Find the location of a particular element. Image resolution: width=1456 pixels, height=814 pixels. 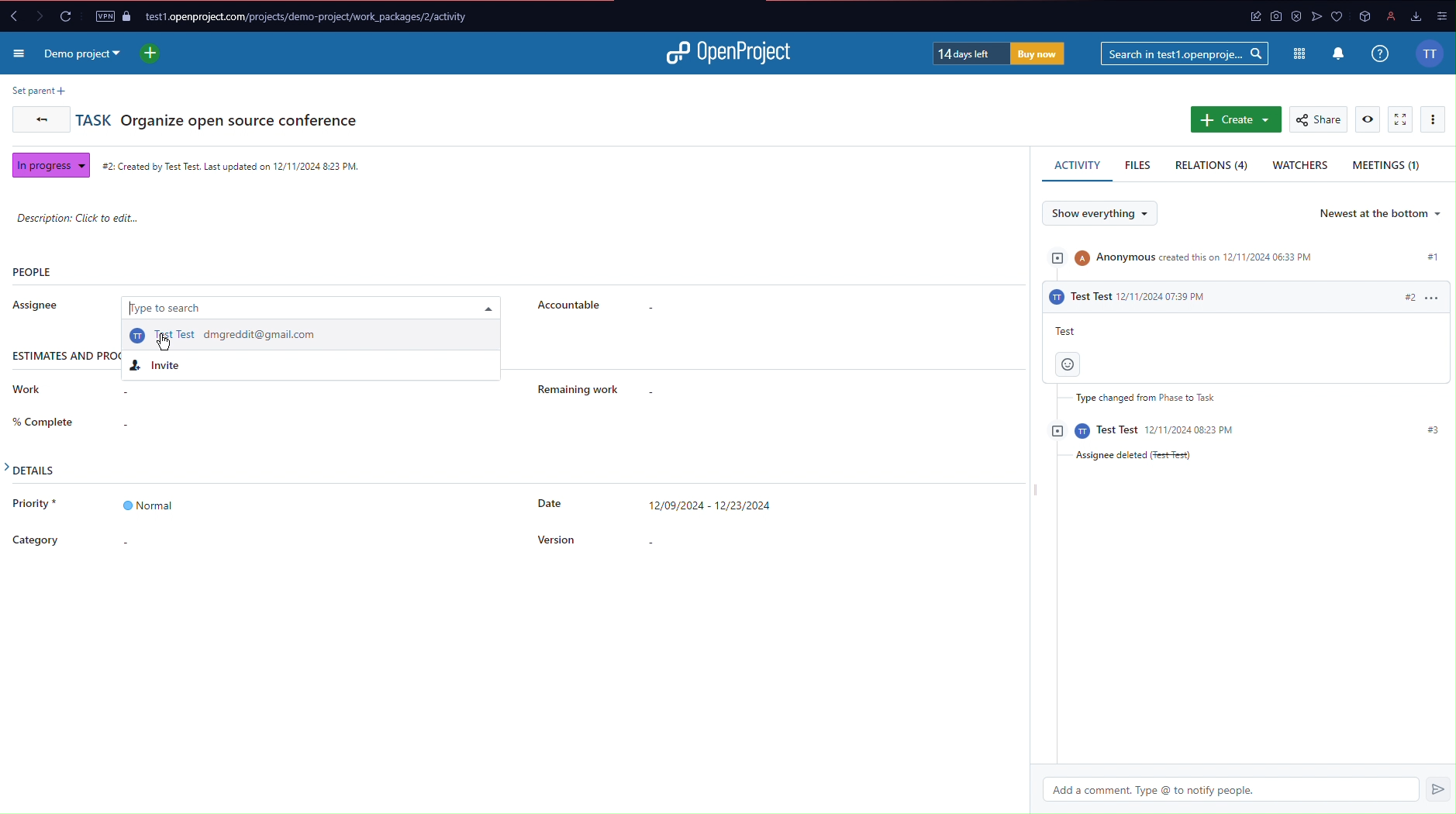

cursor is located at coordinates (171, 345).